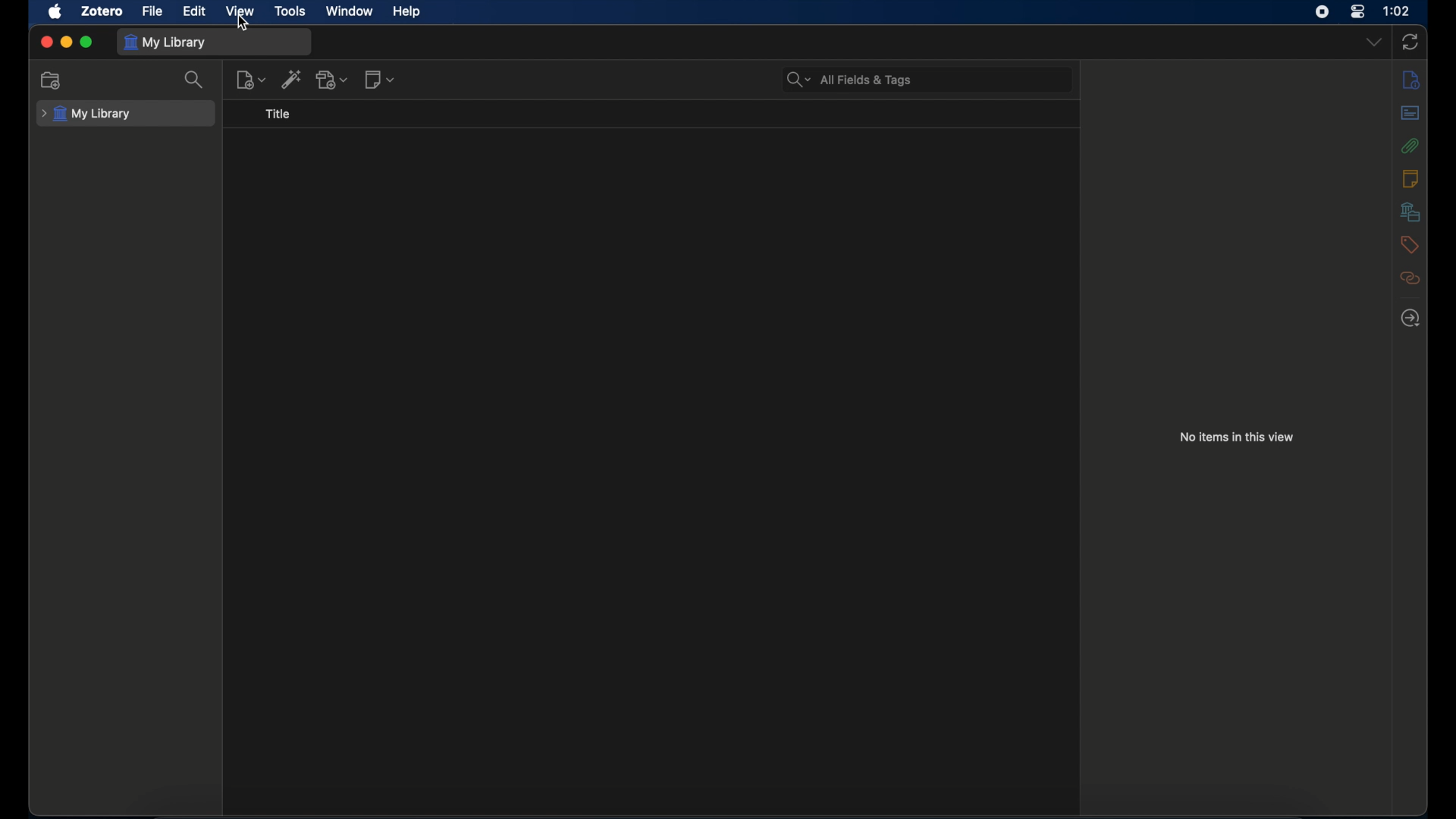 This screenshot has height=819, width=1456. Describe the element at coordinates (1411, 80) in the screenshot. I see `info` at that location.